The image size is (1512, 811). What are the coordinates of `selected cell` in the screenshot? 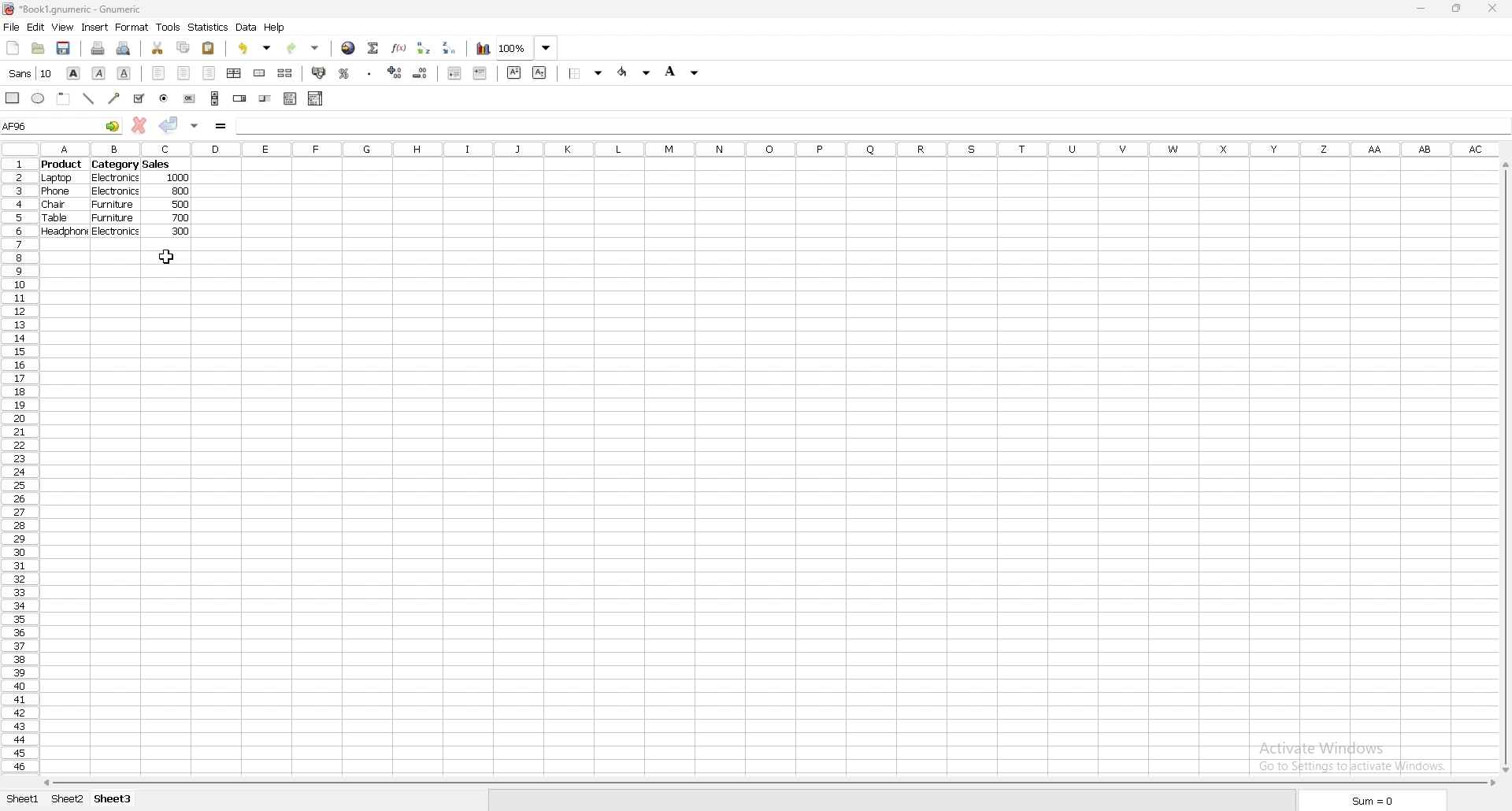 It's located at (62, 125).